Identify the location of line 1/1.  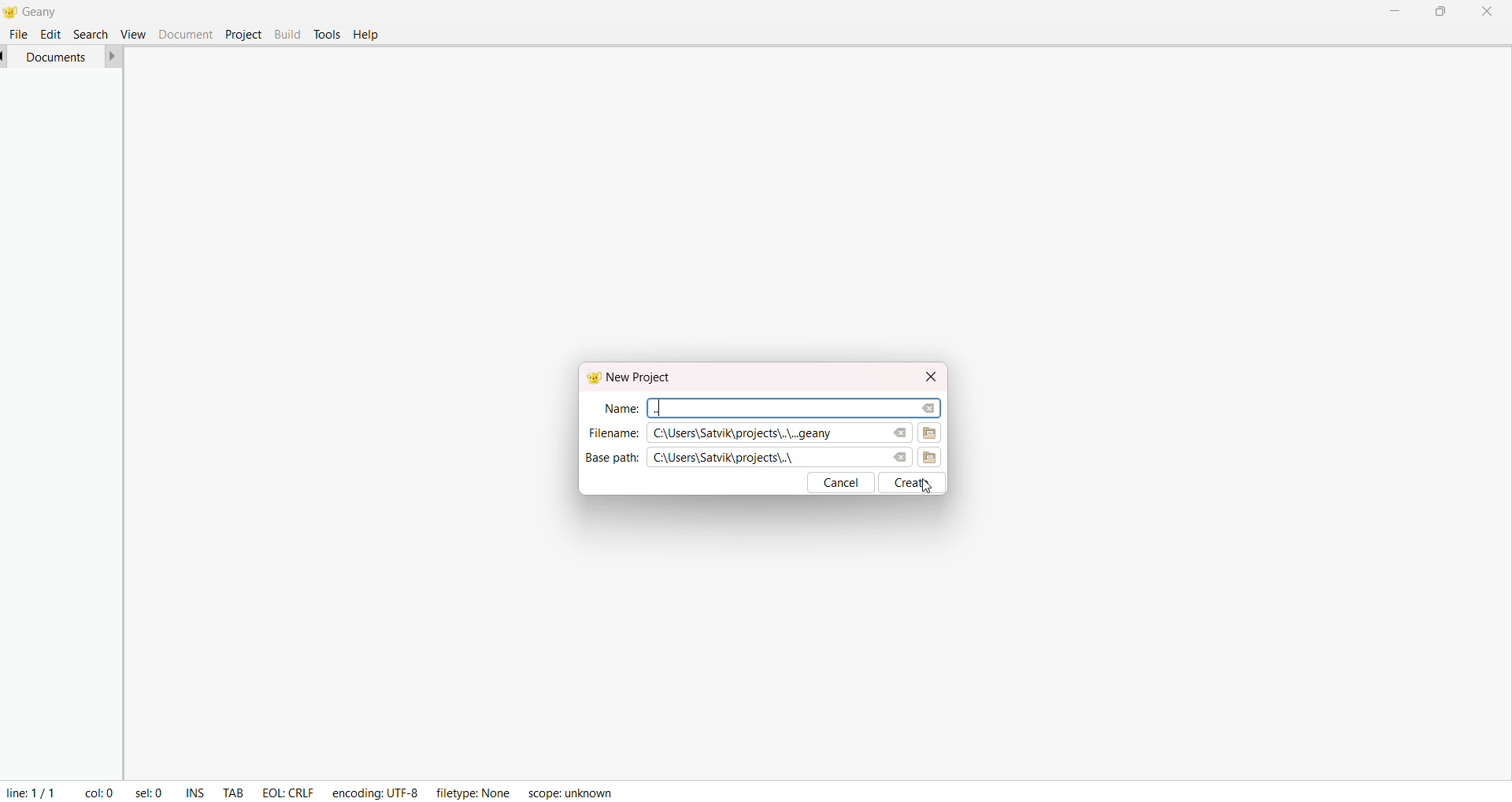
(36, 791).